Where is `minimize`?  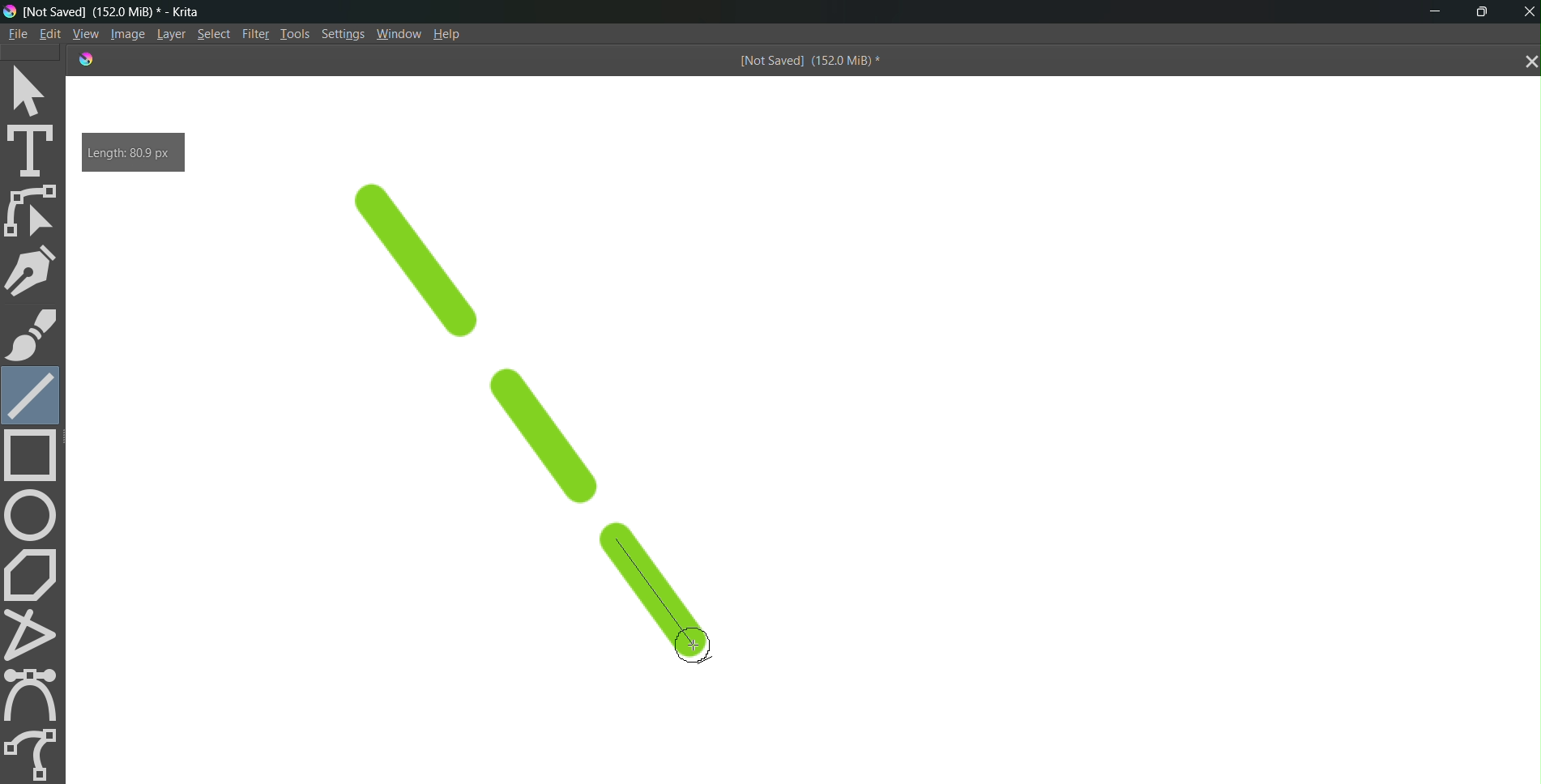 minimize is located at coordinates (1429, 13).